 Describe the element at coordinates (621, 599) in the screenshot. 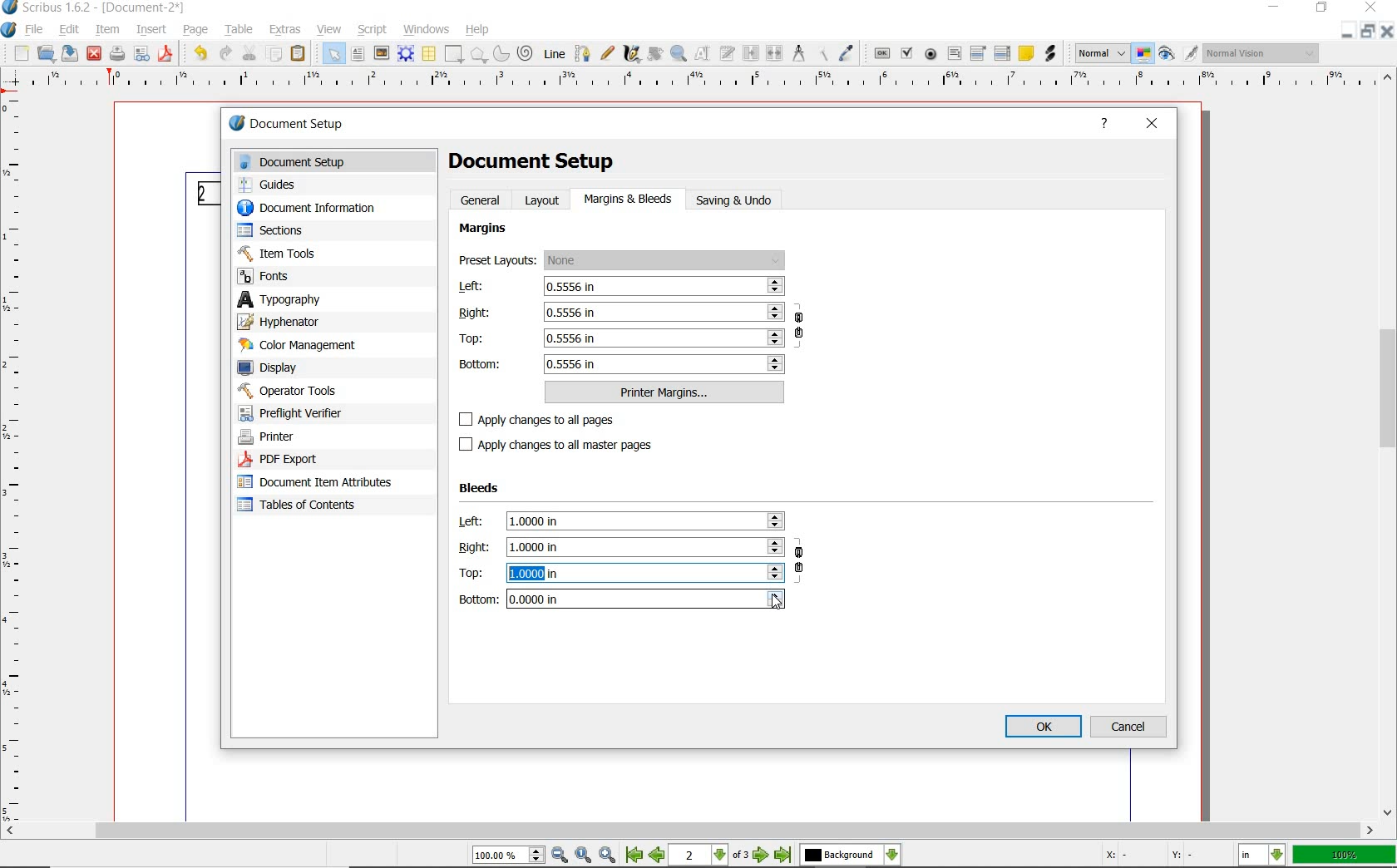

I see `bottom` at that location.